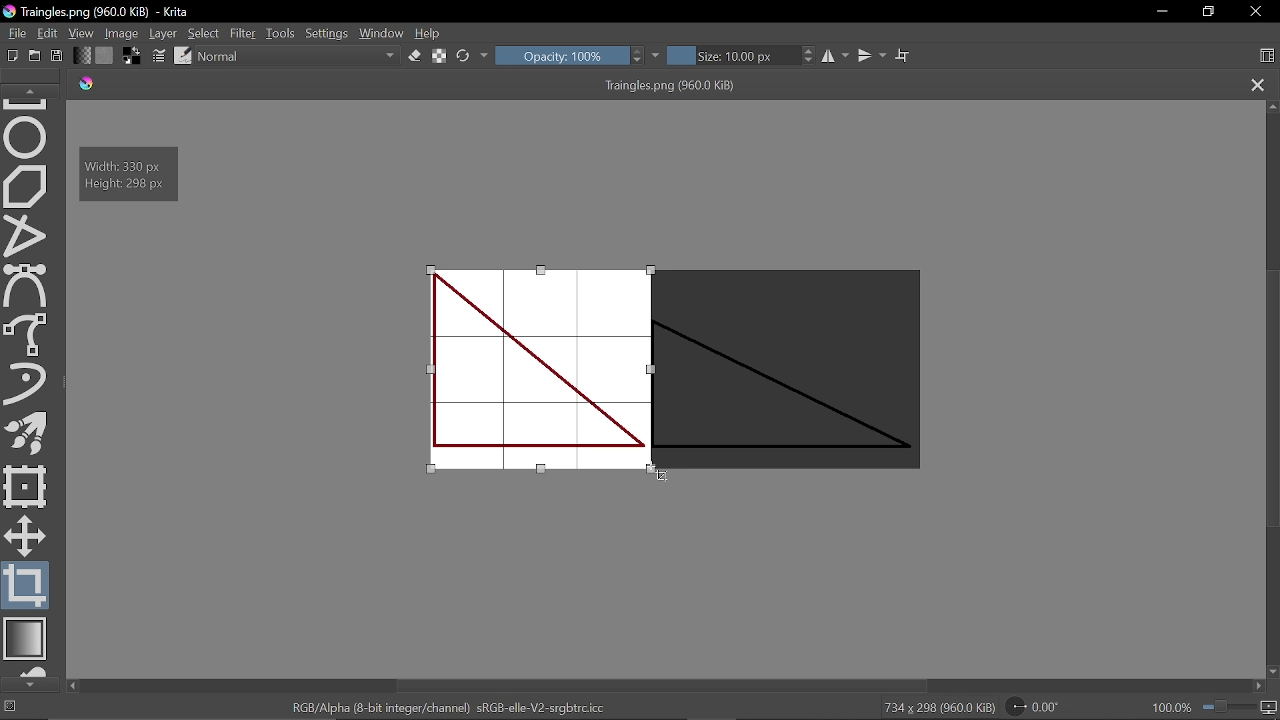  I want to click on Transform a layer or a selection, so click(26, 485).